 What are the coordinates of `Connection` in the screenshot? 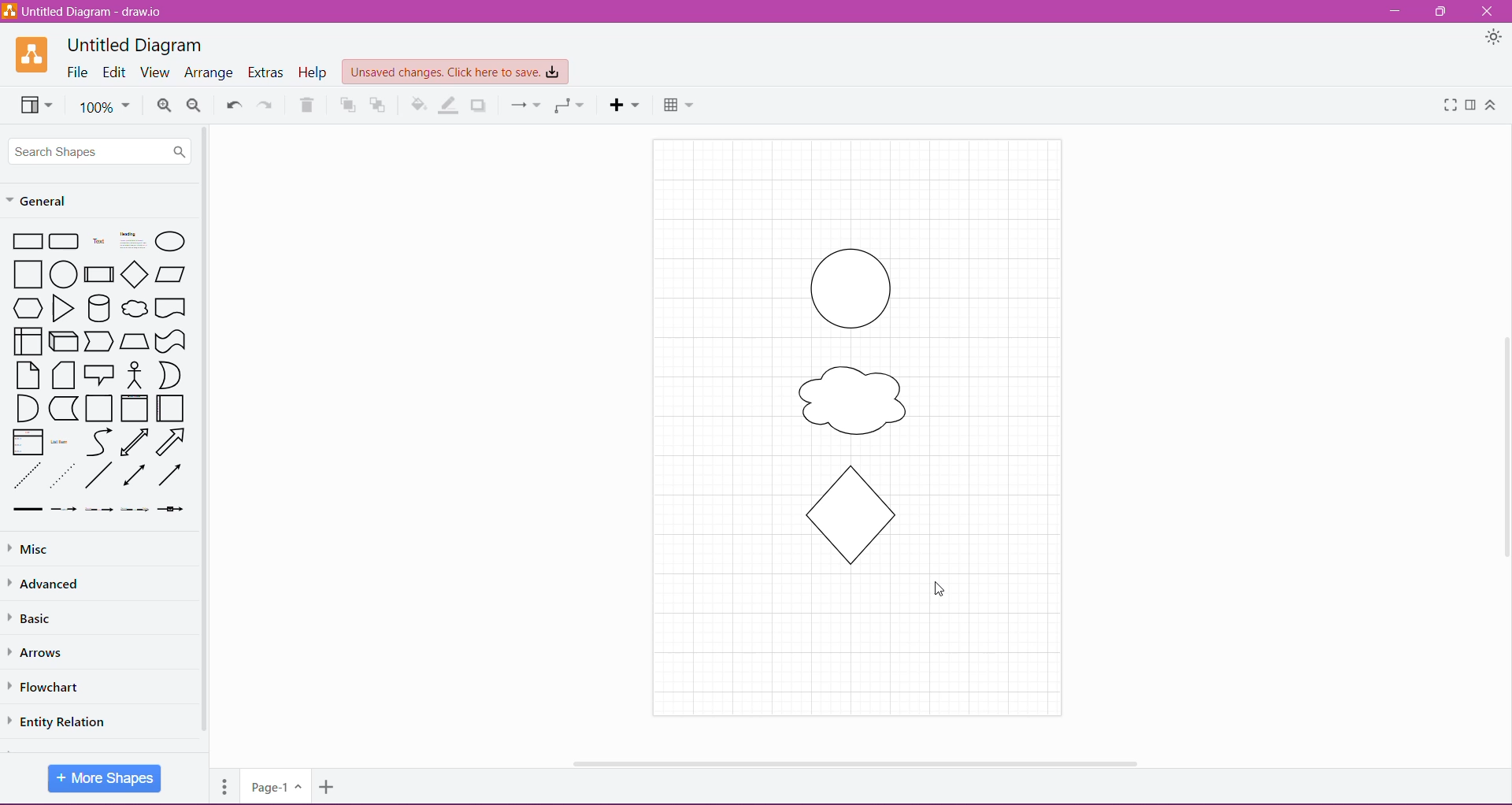 It's located at (521, 104).